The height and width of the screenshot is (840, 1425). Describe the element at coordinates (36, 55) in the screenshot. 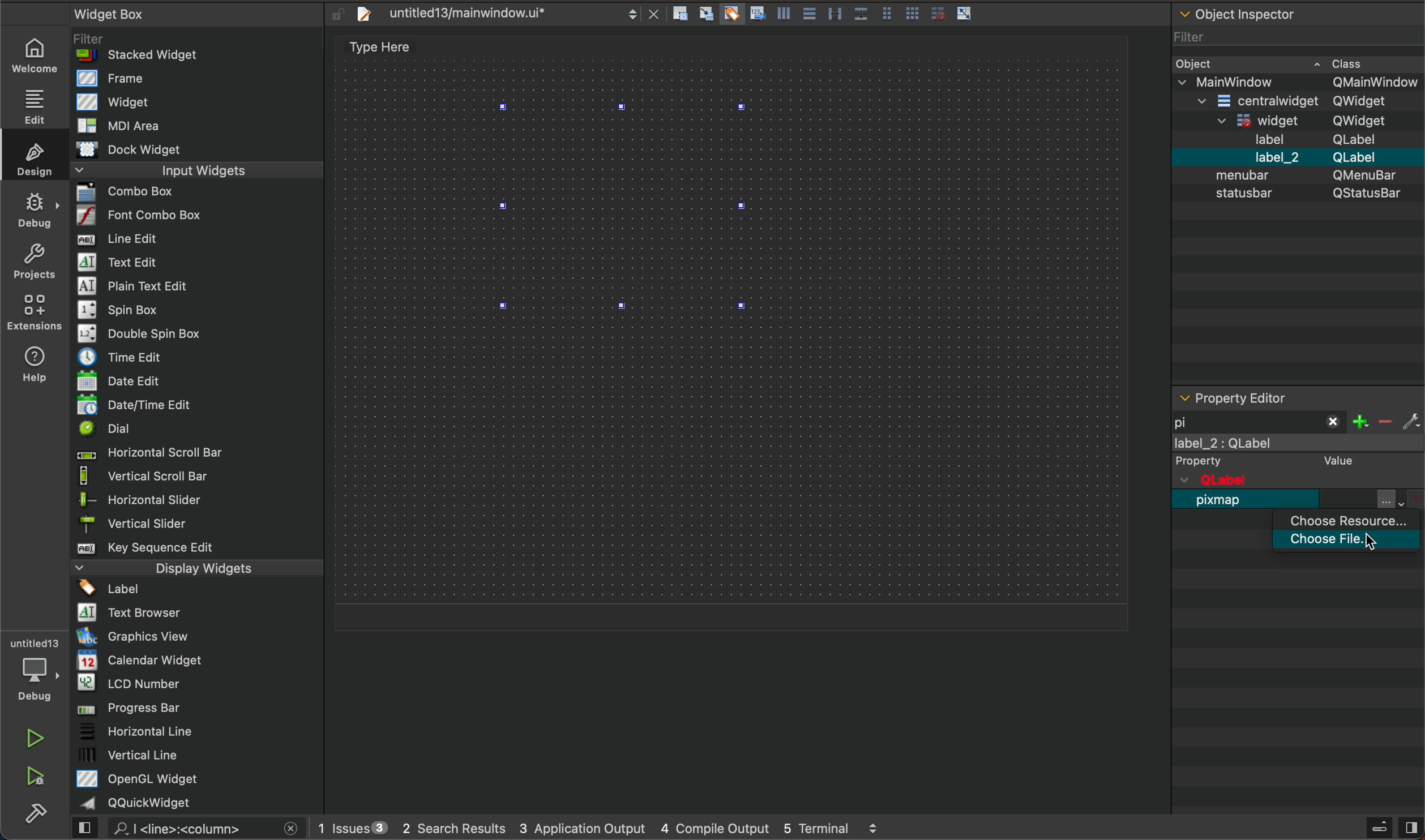

I see `welcome` at that location.